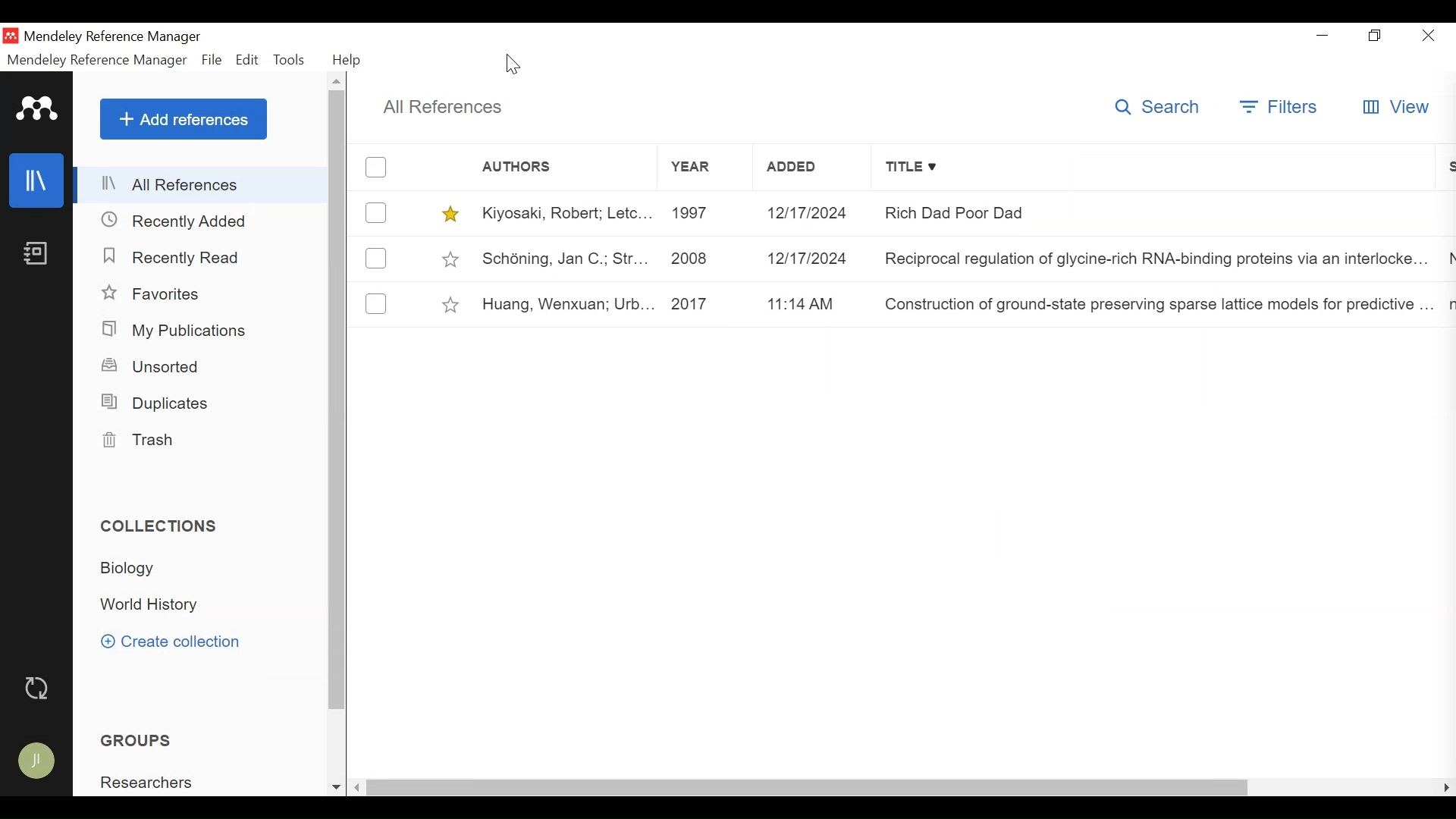 The width and height of the screenshot is (1456, 819). What do you see at coordinates (811, 787) in the screenshot?
I see `Horizontal Scroll bar` at bounding box center [811, 787].